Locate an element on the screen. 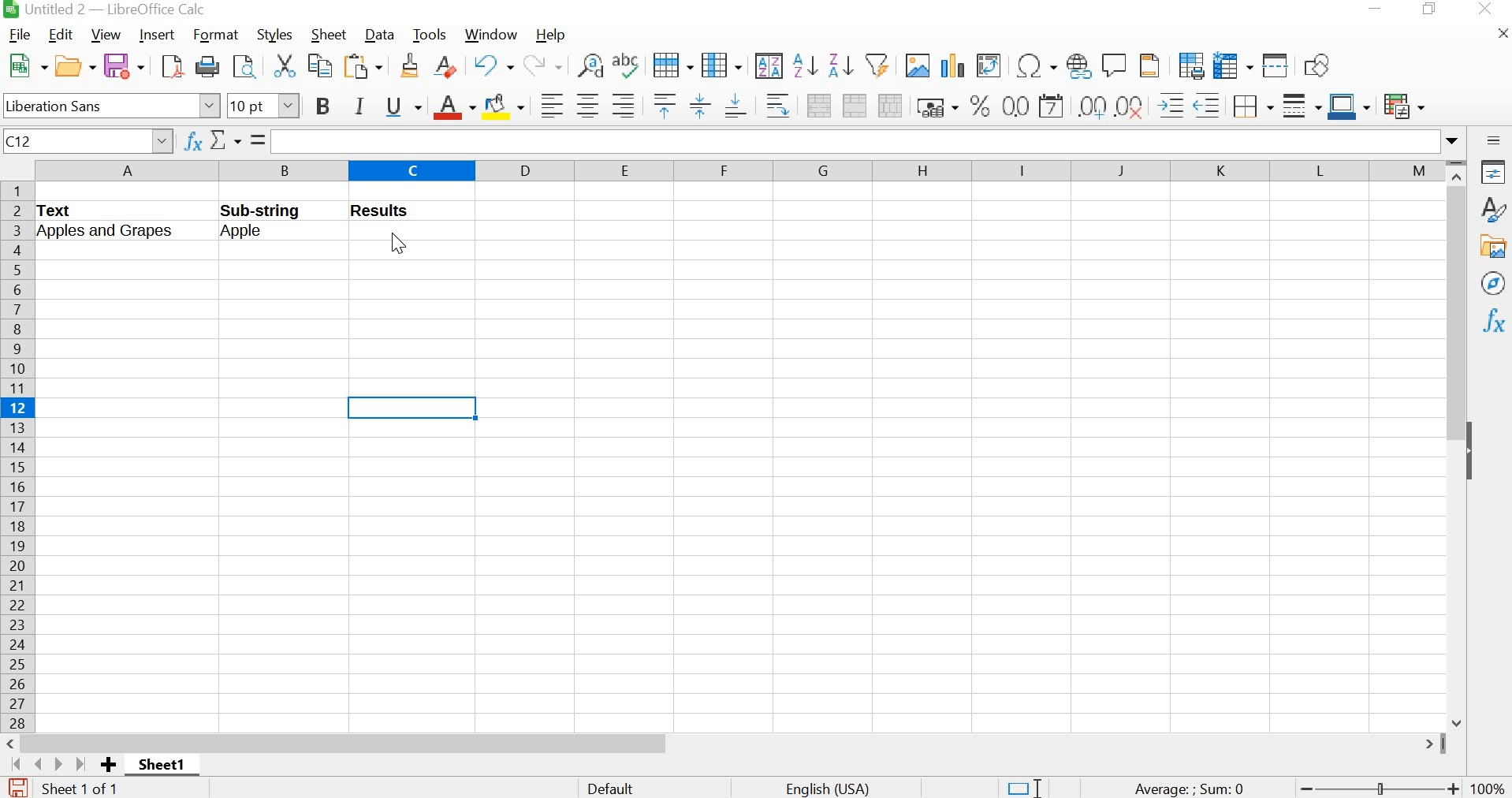 The width and height of the screenshot is (1512, 798). cells is located at coordinates (182, 411).